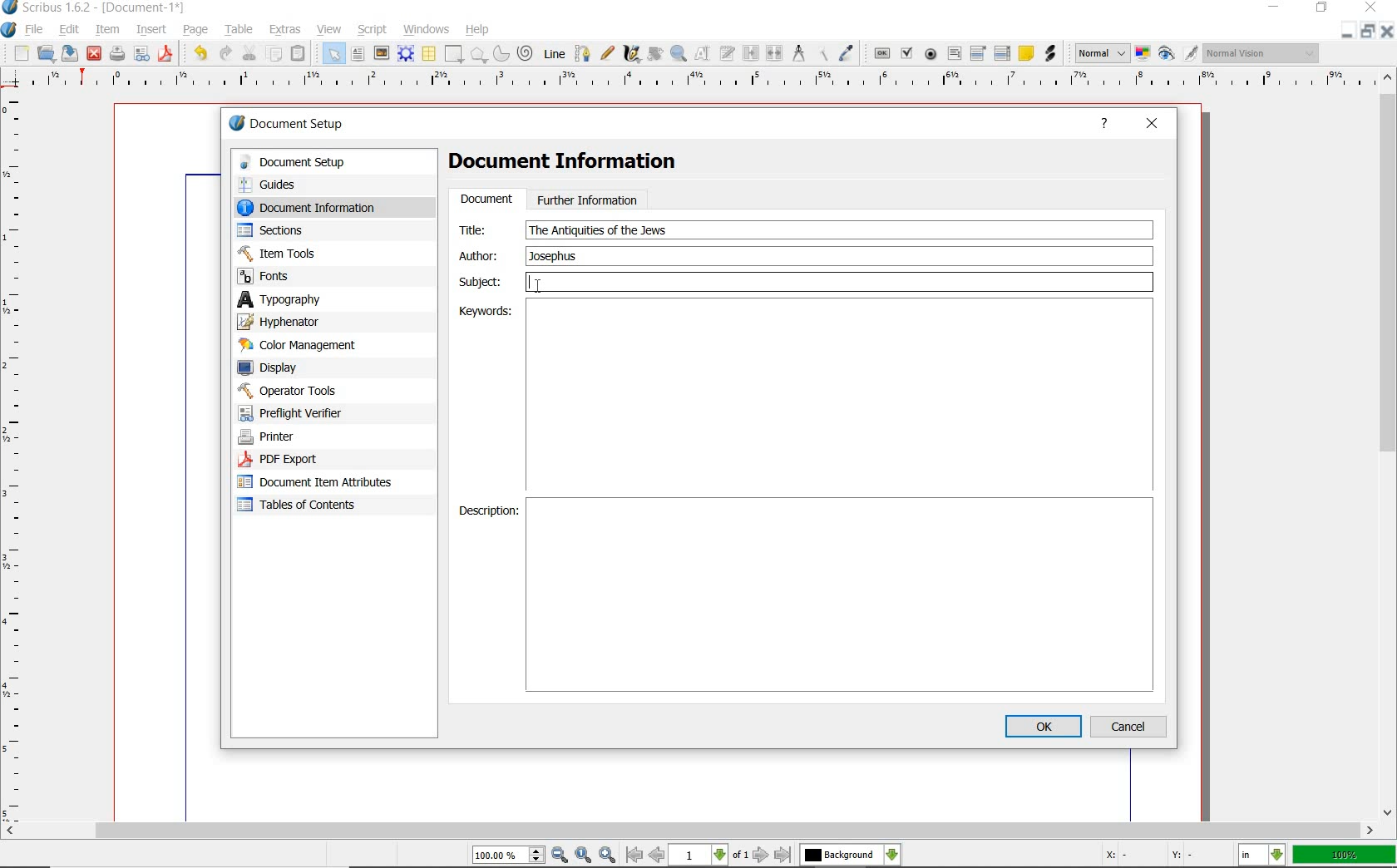 This screenshot has height=868, width=1397. What do you see at coordinates (306, 437) in the screenshot?
I see `printer` at bounding box center [306, 437].